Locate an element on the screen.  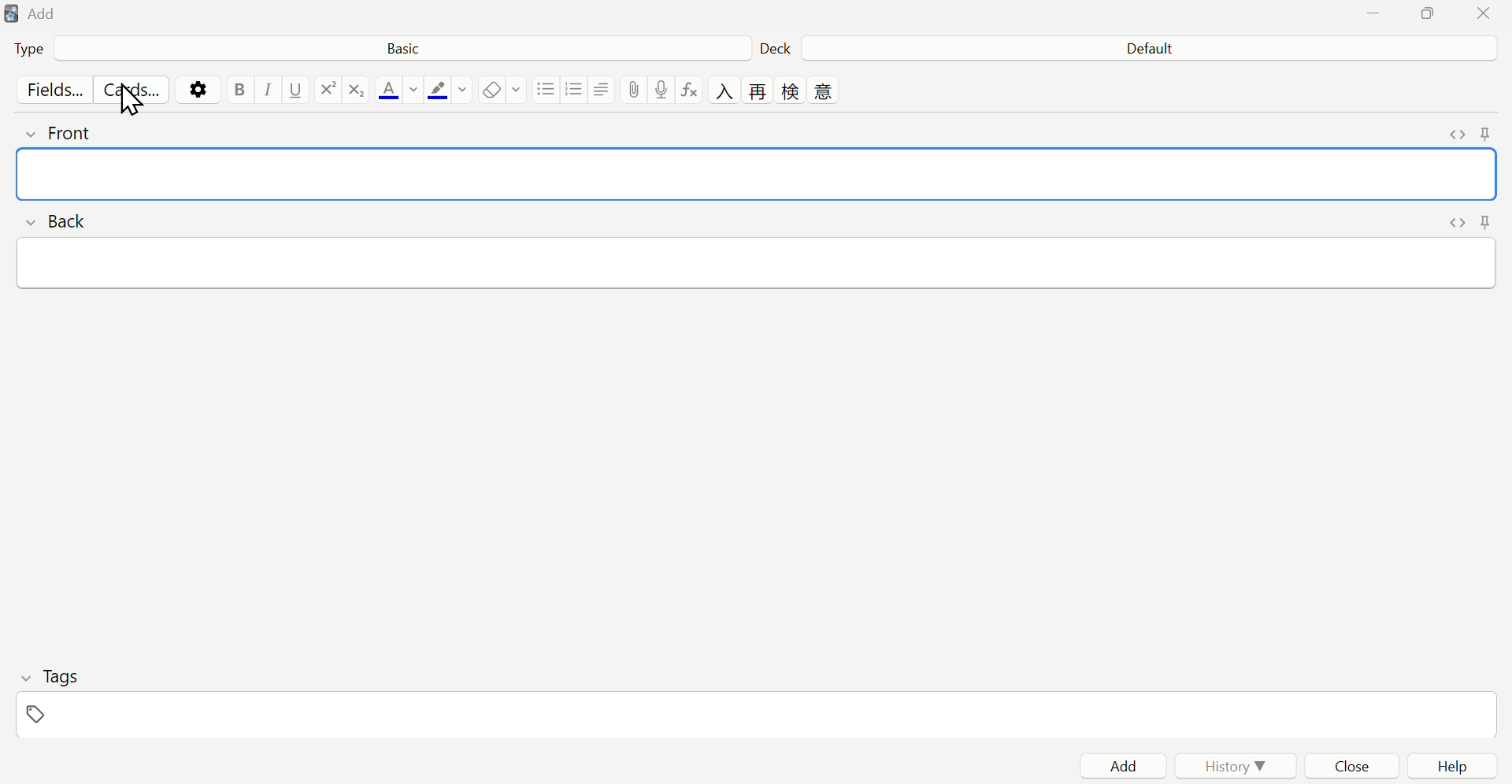
Close is located at coordinates (1351, 764).